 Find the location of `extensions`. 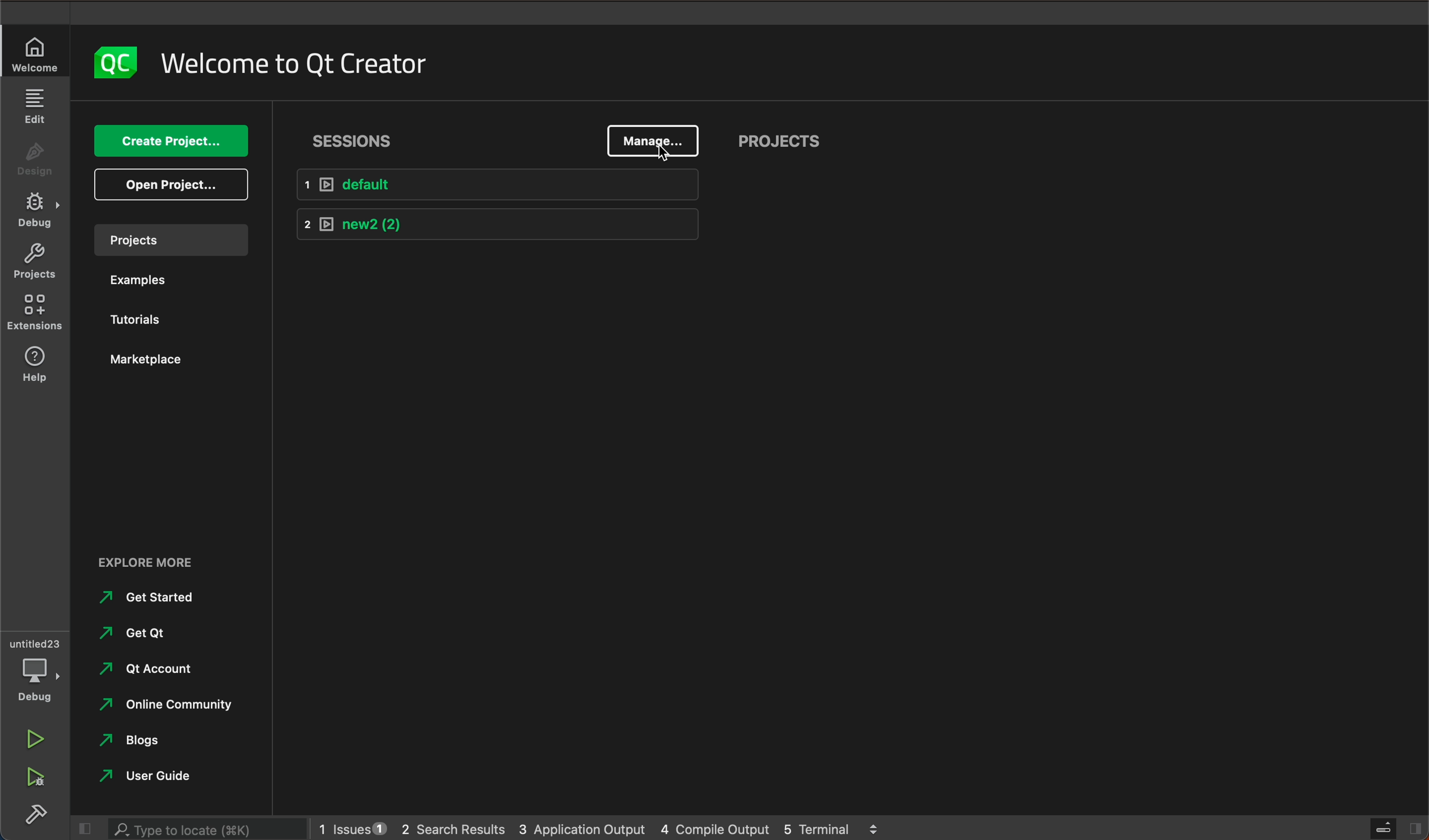

extensions is located at coordinates (38, 314).